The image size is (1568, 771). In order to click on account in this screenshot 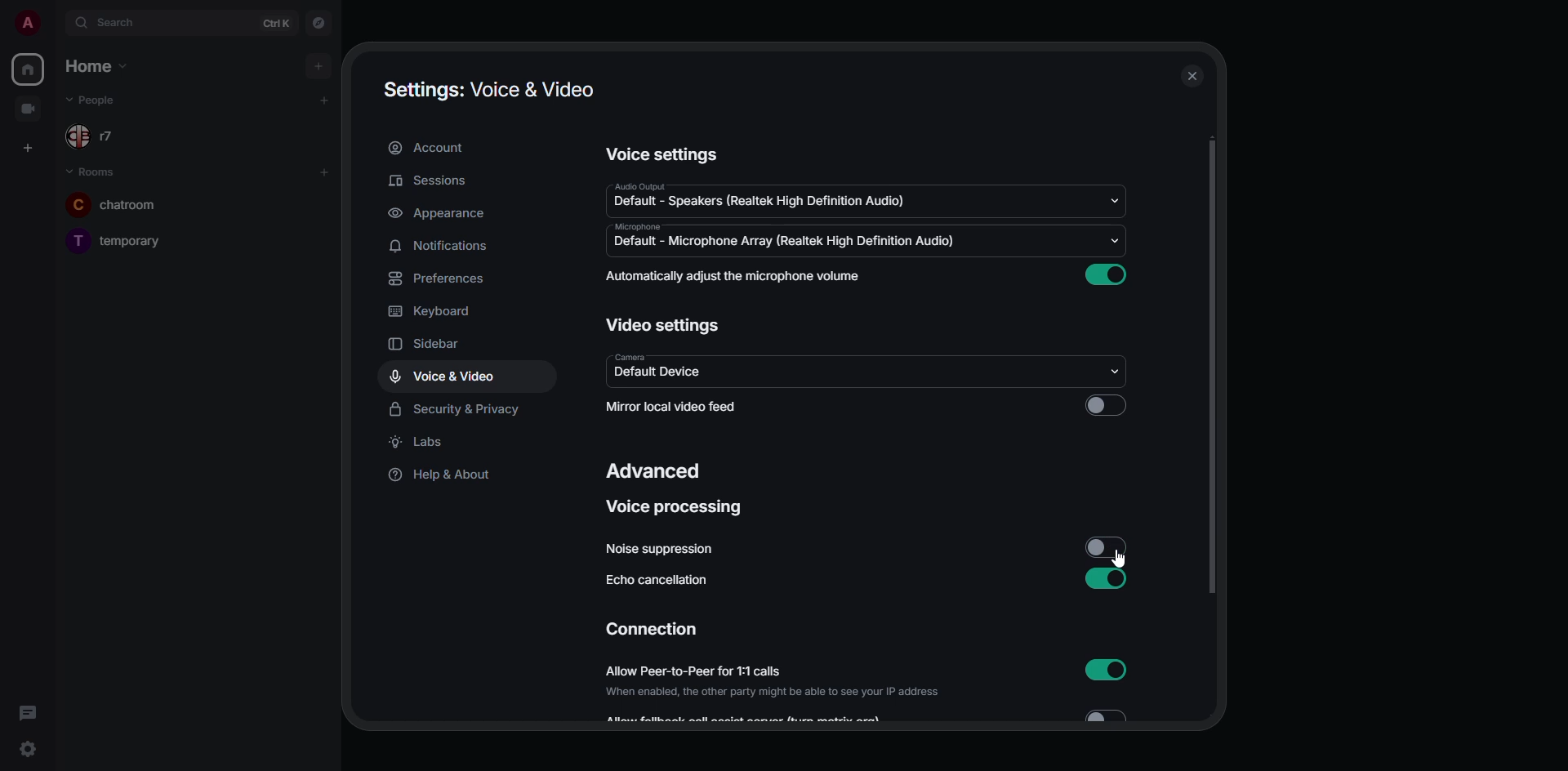, I will do `click(432, 148)`.